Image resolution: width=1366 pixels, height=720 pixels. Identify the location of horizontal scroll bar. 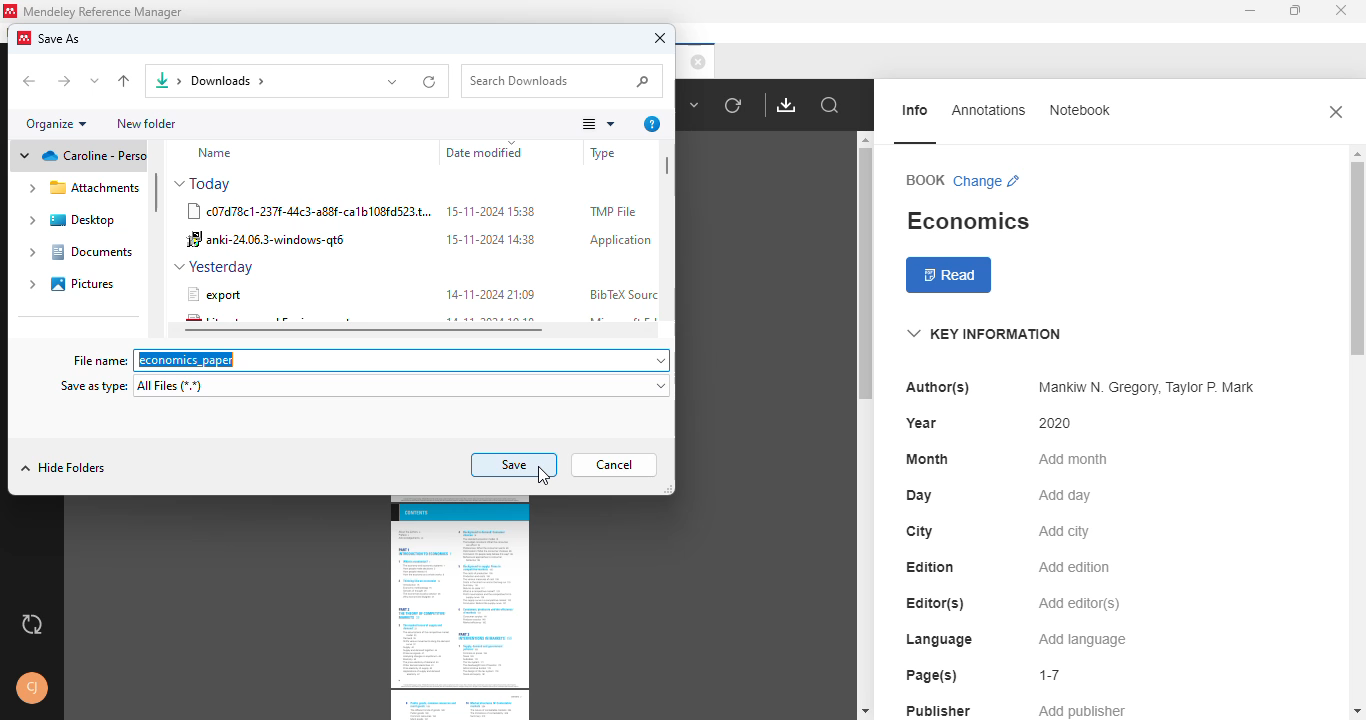
(364, 329).